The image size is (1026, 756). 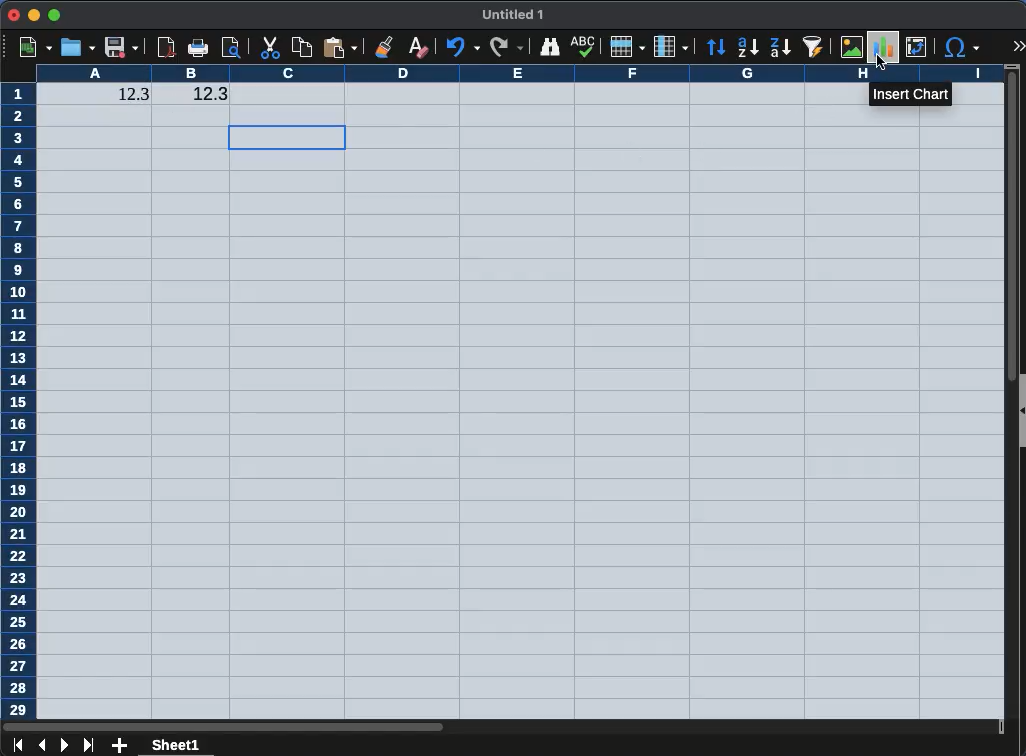 I want to click on finder, so click(x=549, y=47).